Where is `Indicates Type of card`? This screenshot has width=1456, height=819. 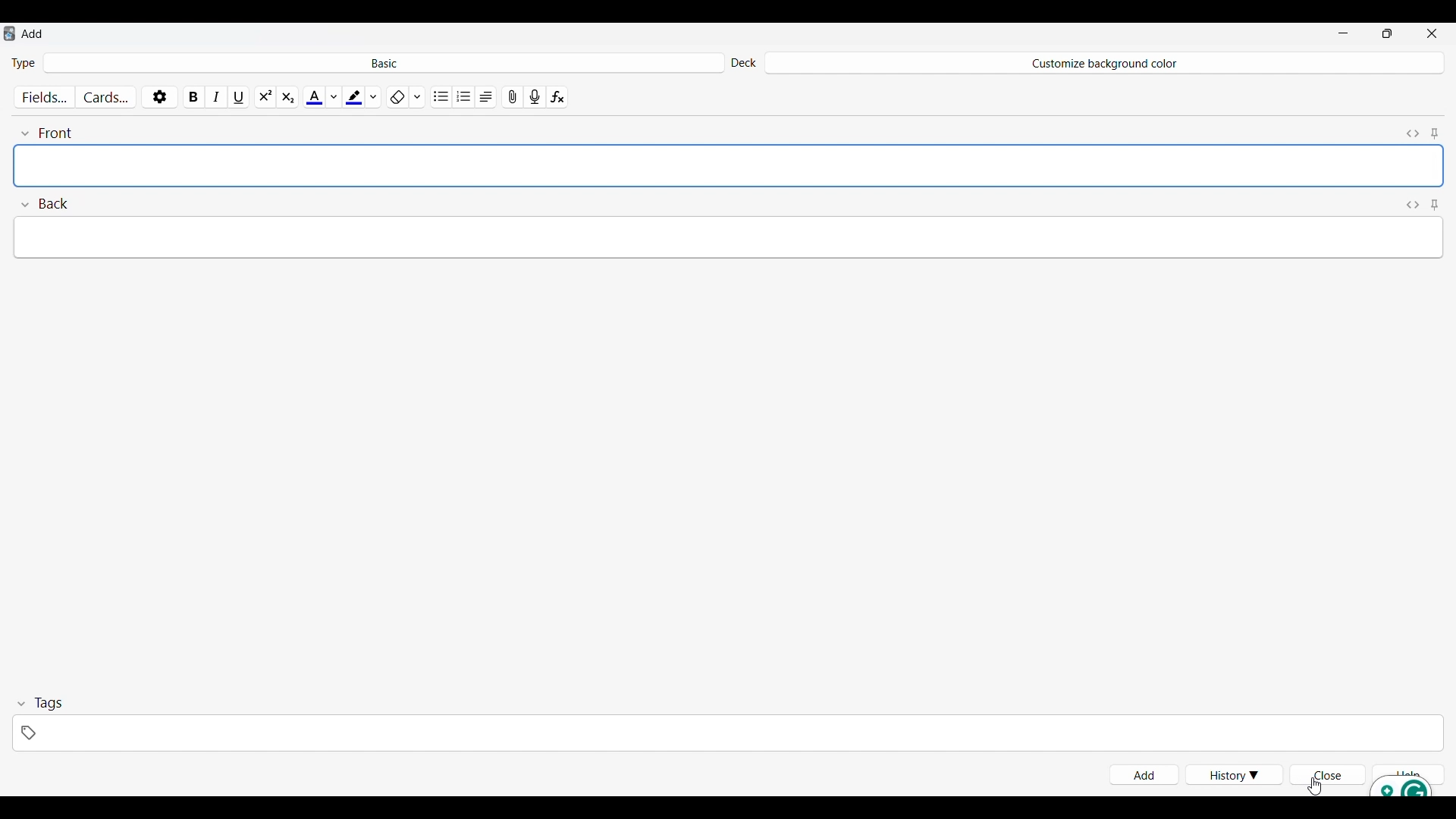
Indicates Type of card is located at coordinates (24, 62).